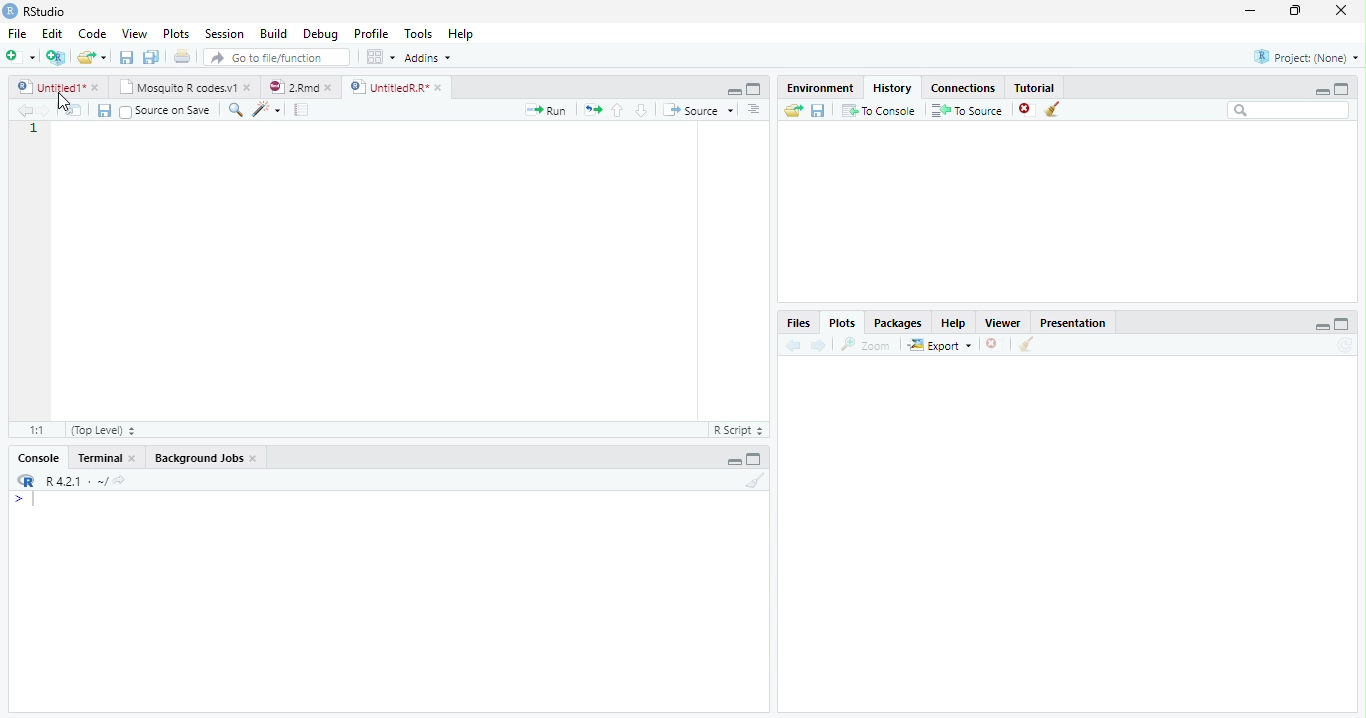 Image resolution: width=1366 pixels, height=718 pixels. Describe the element at coordinates (893, 88) in the screenshot. I see `History` at that location.